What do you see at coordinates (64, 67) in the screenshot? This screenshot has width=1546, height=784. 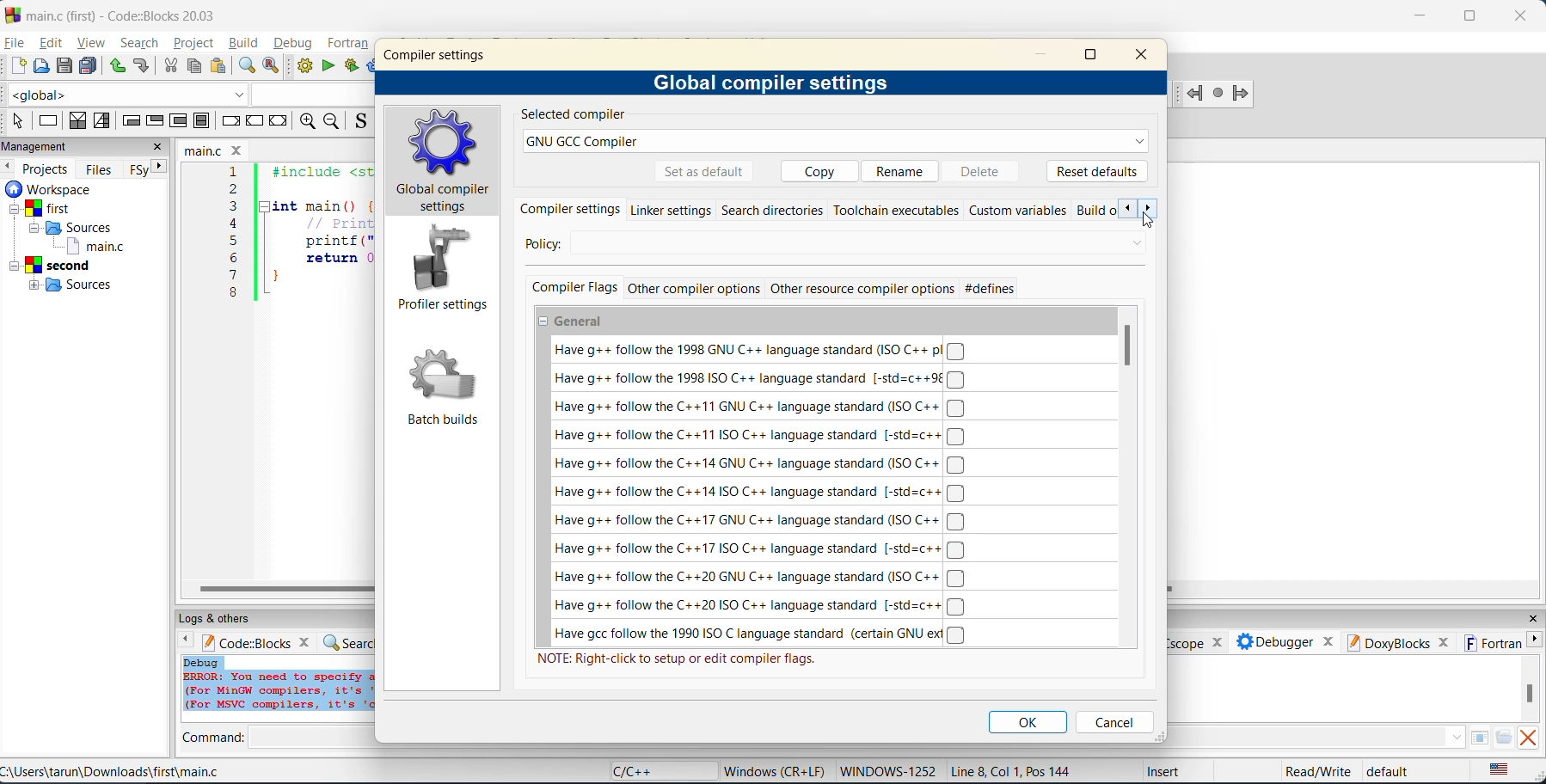 I see `save` at bounding box center [64, 67].